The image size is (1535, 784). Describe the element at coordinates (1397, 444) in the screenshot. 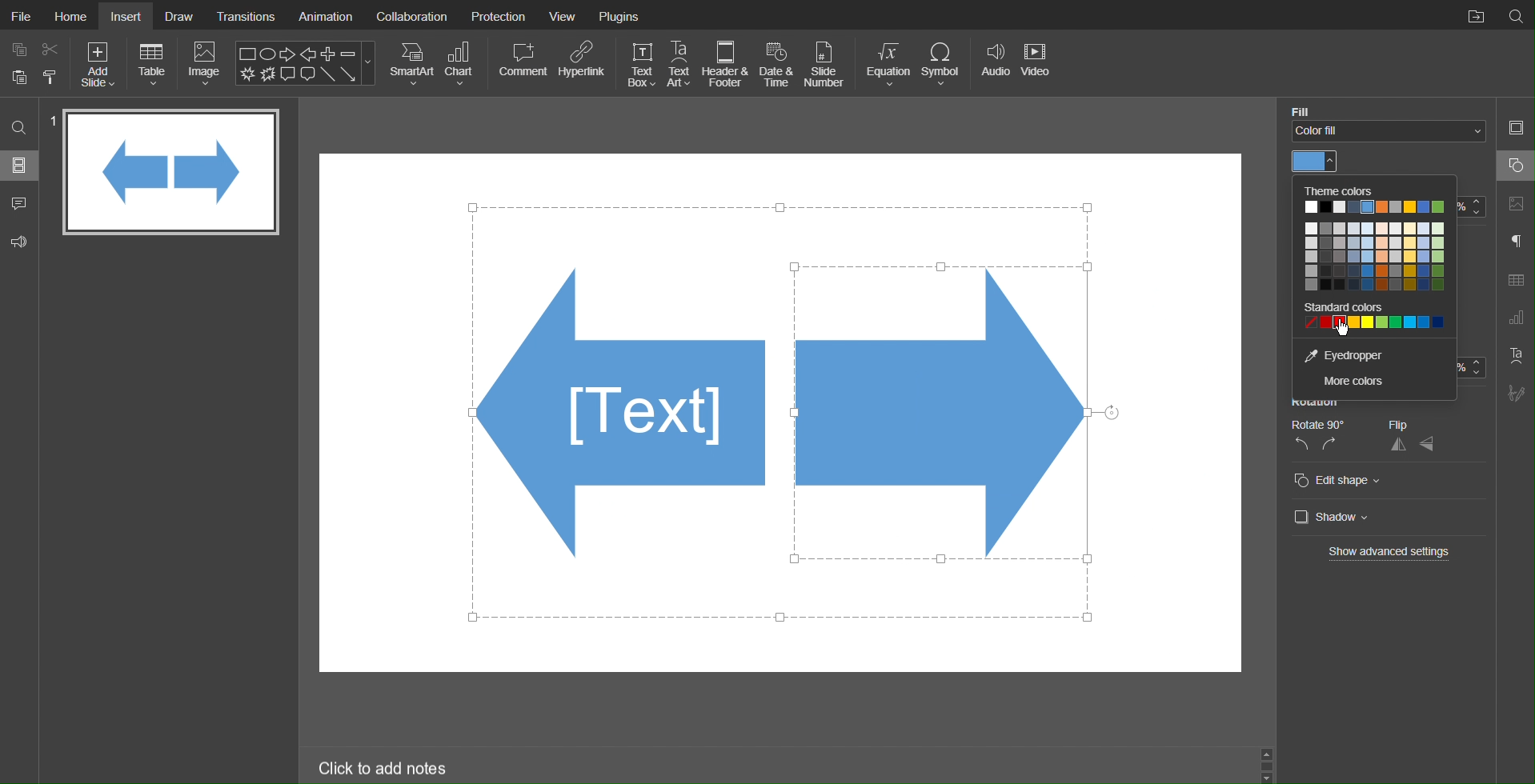

I see `horizontal flip` at that location.